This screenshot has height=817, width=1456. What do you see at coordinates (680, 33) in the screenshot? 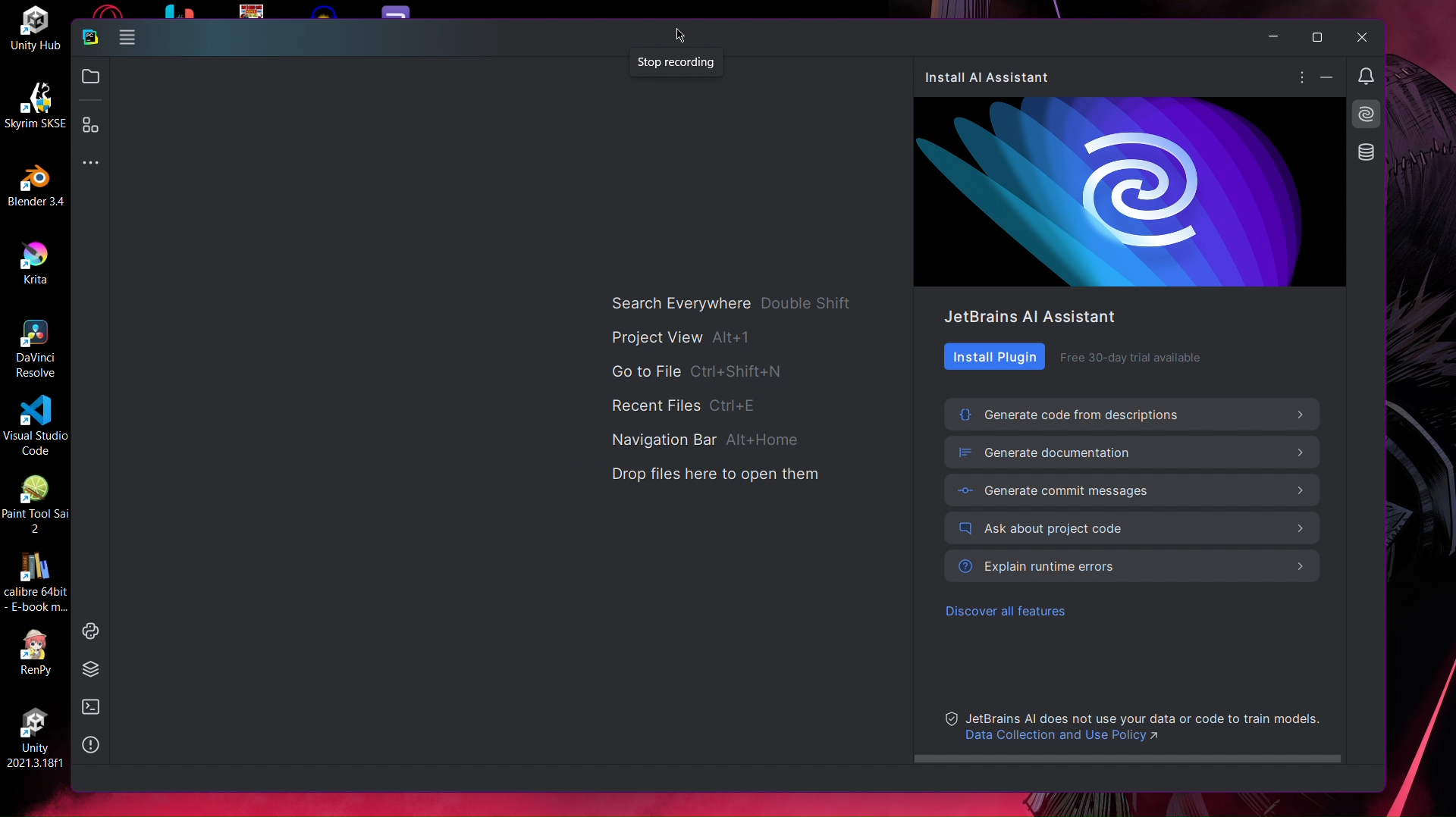
I see `Cursor` at bounding box center [680, 33].